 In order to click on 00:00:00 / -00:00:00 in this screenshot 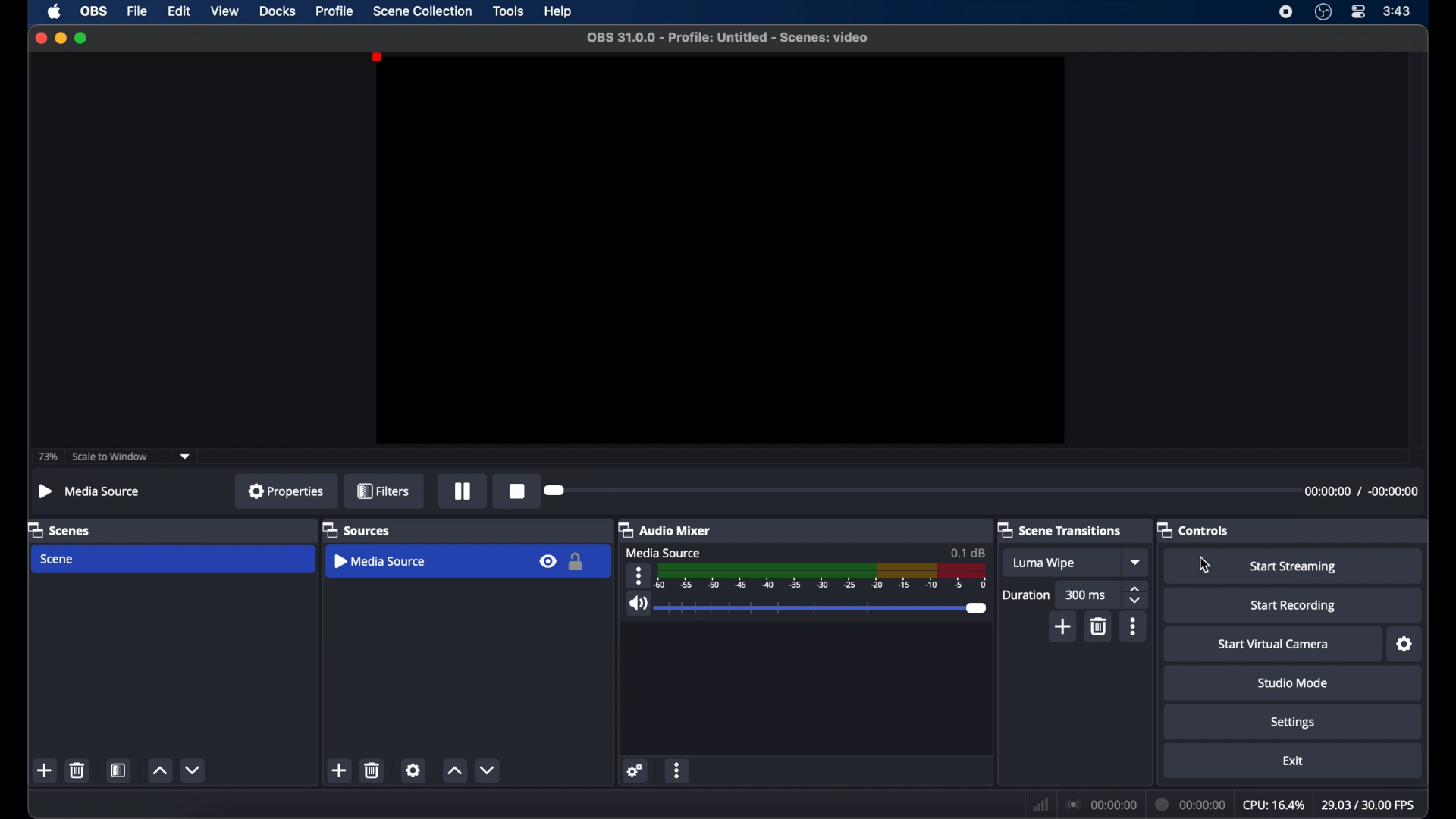, I will do `click(1362, 491)`.